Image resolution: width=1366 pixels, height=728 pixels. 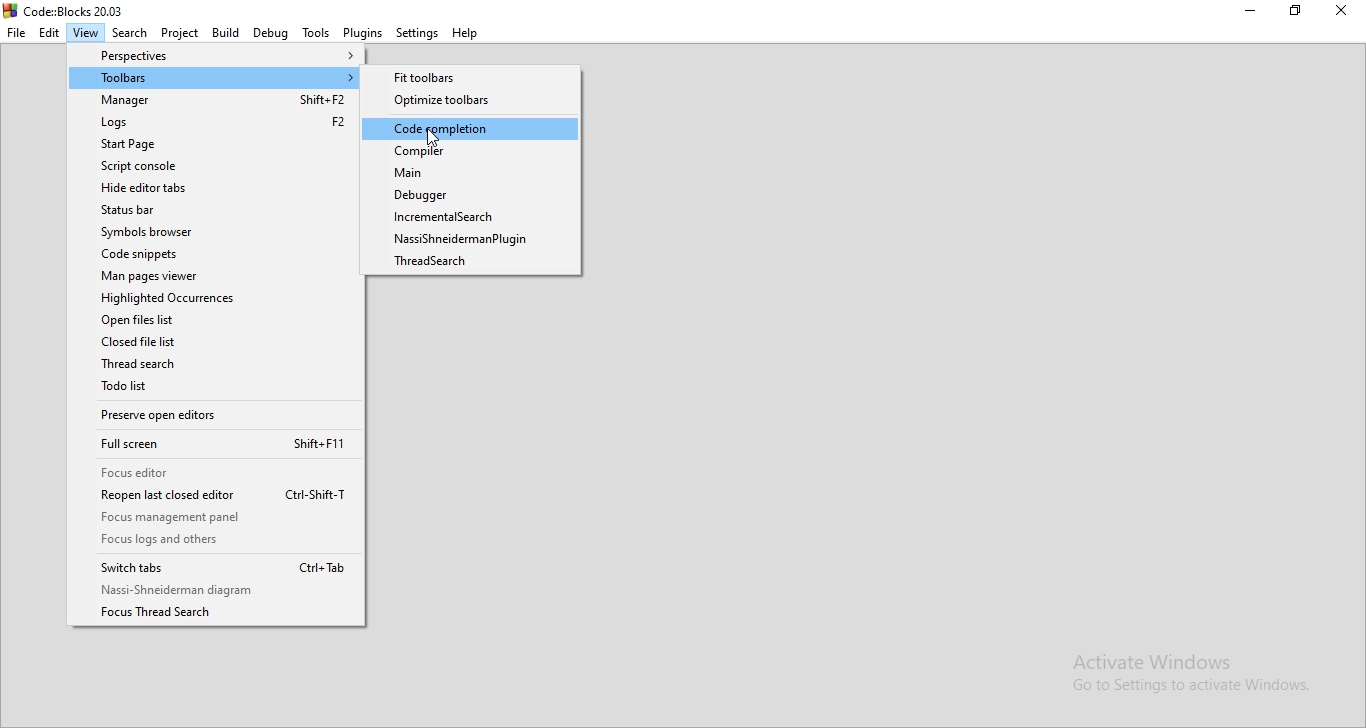 What do you see at coordinates (223, 33) in the screenshot?
I see `Build ` at bounding box center [223, 33].